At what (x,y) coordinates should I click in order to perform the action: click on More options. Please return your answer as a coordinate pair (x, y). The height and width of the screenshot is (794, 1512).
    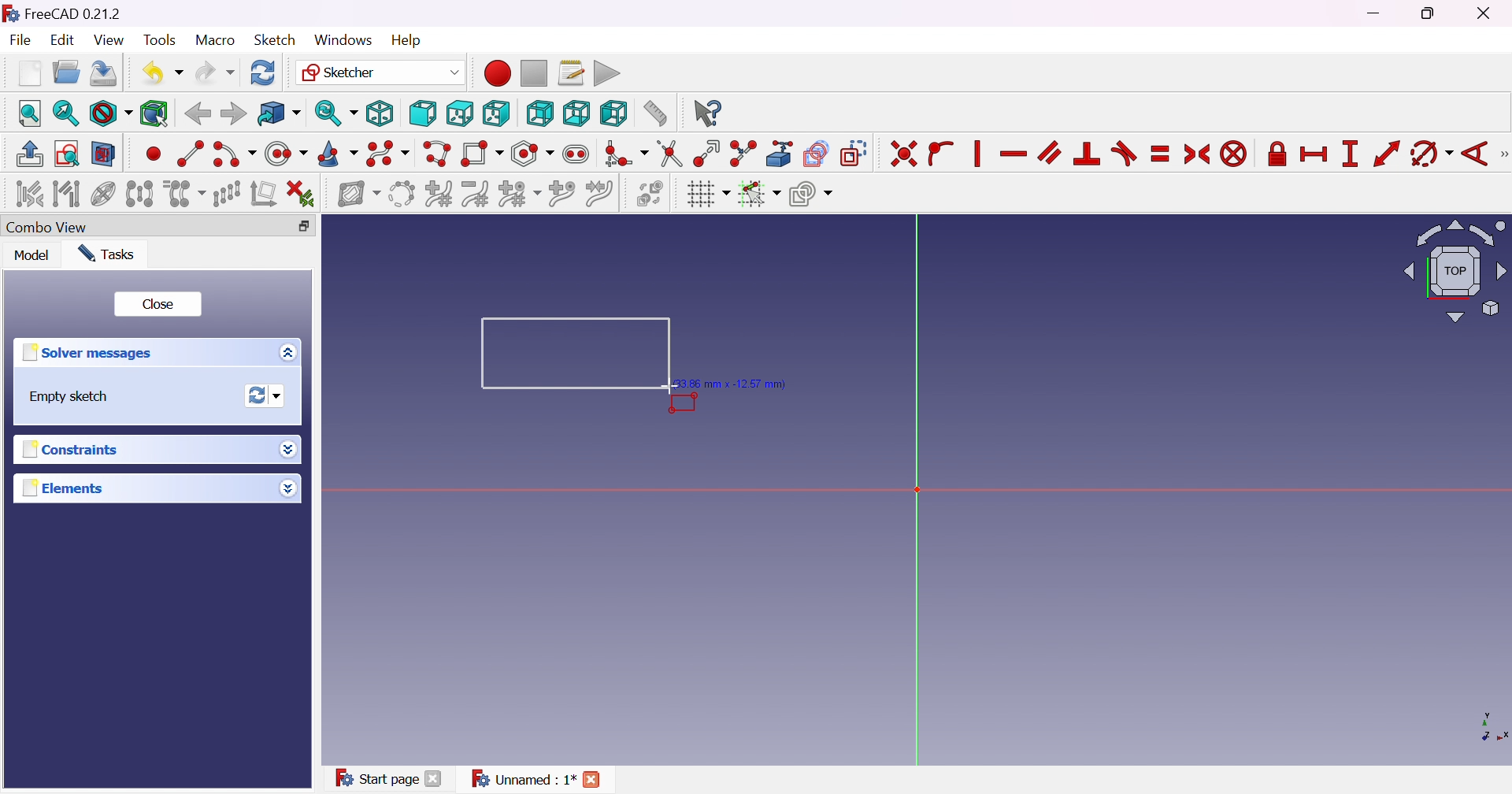
    Looking at the image, I should click on (292, 352).